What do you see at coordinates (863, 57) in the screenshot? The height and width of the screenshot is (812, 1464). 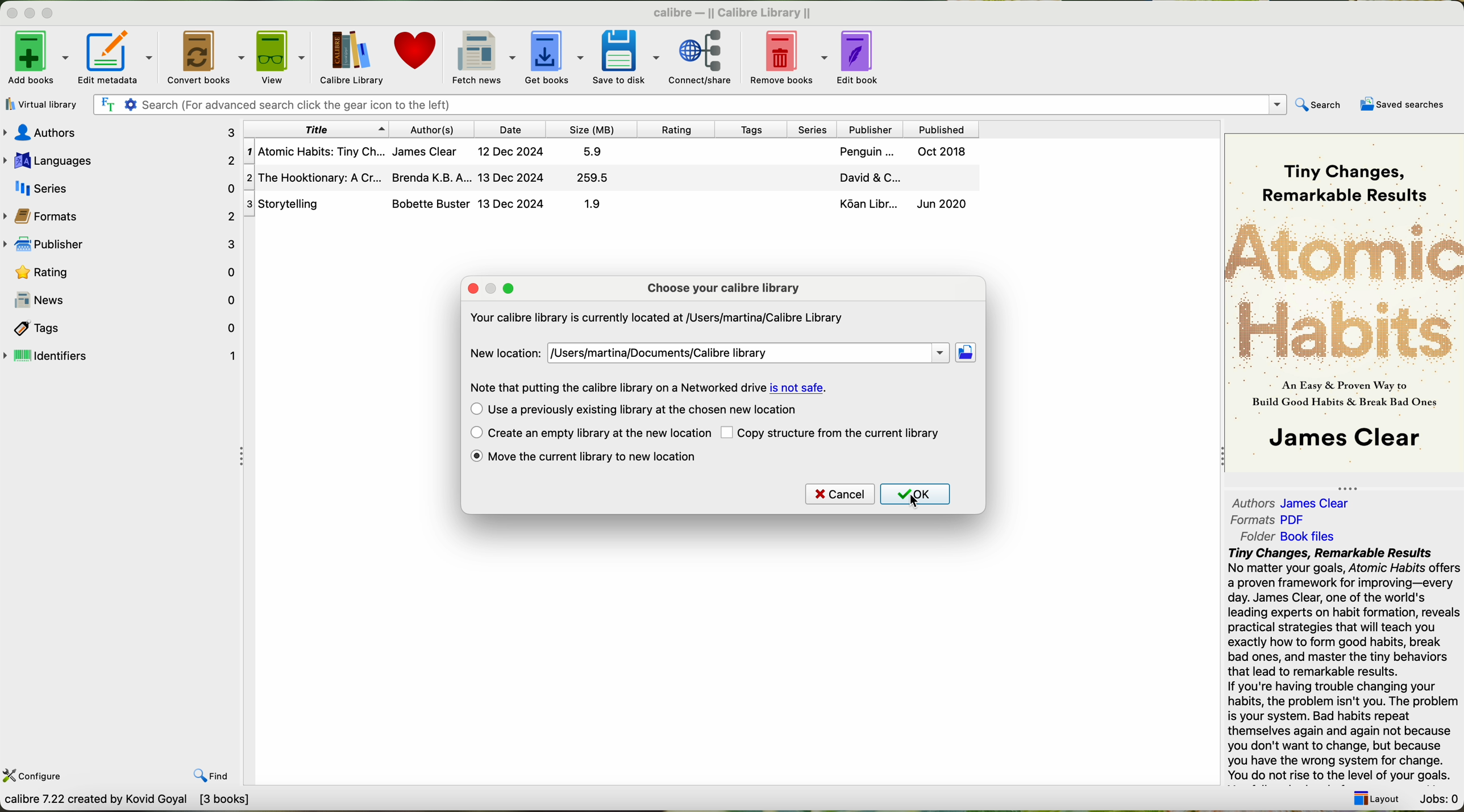 I see `edit book` at bounding box center [863, 57].